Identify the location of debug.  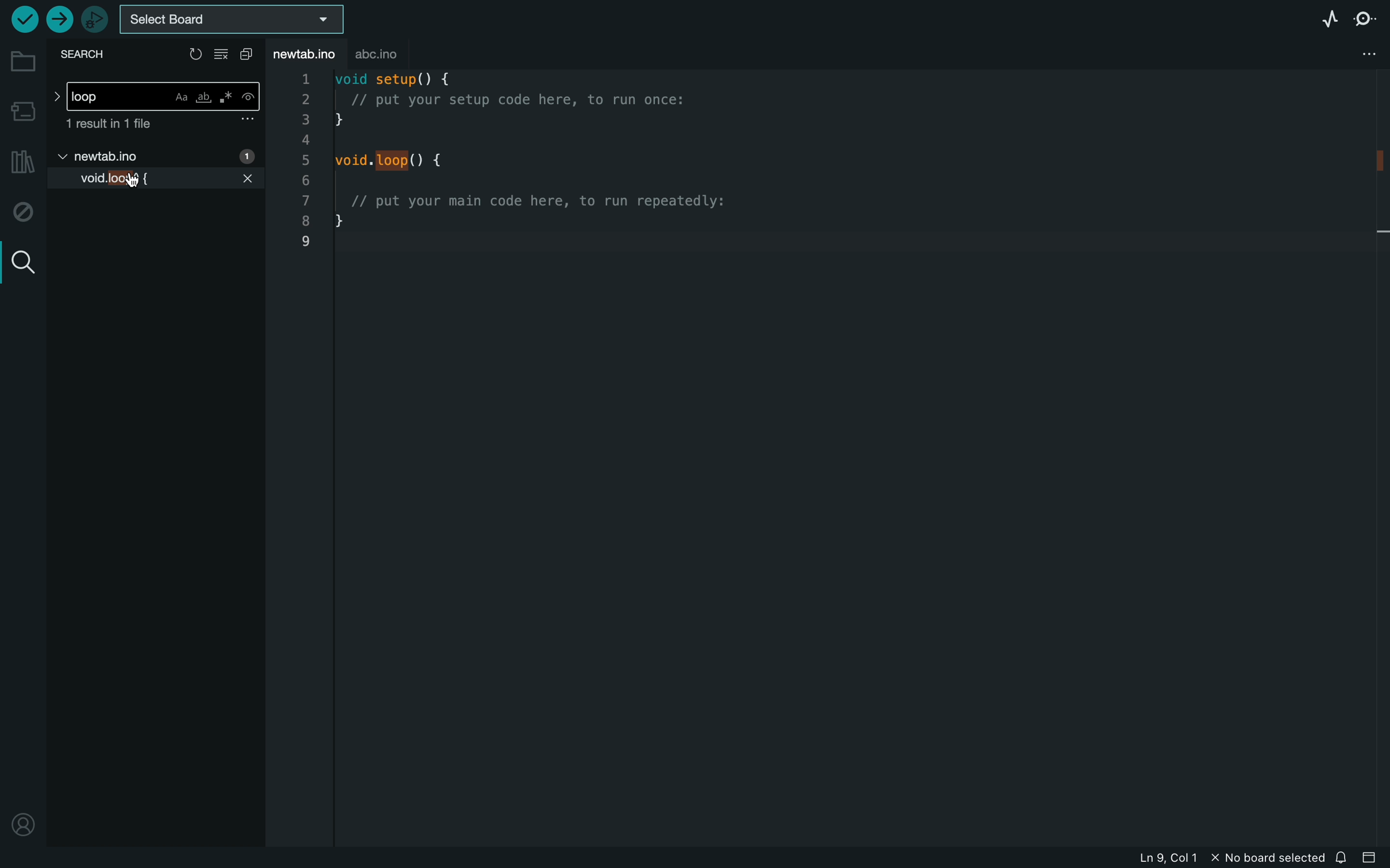
(21, 212).